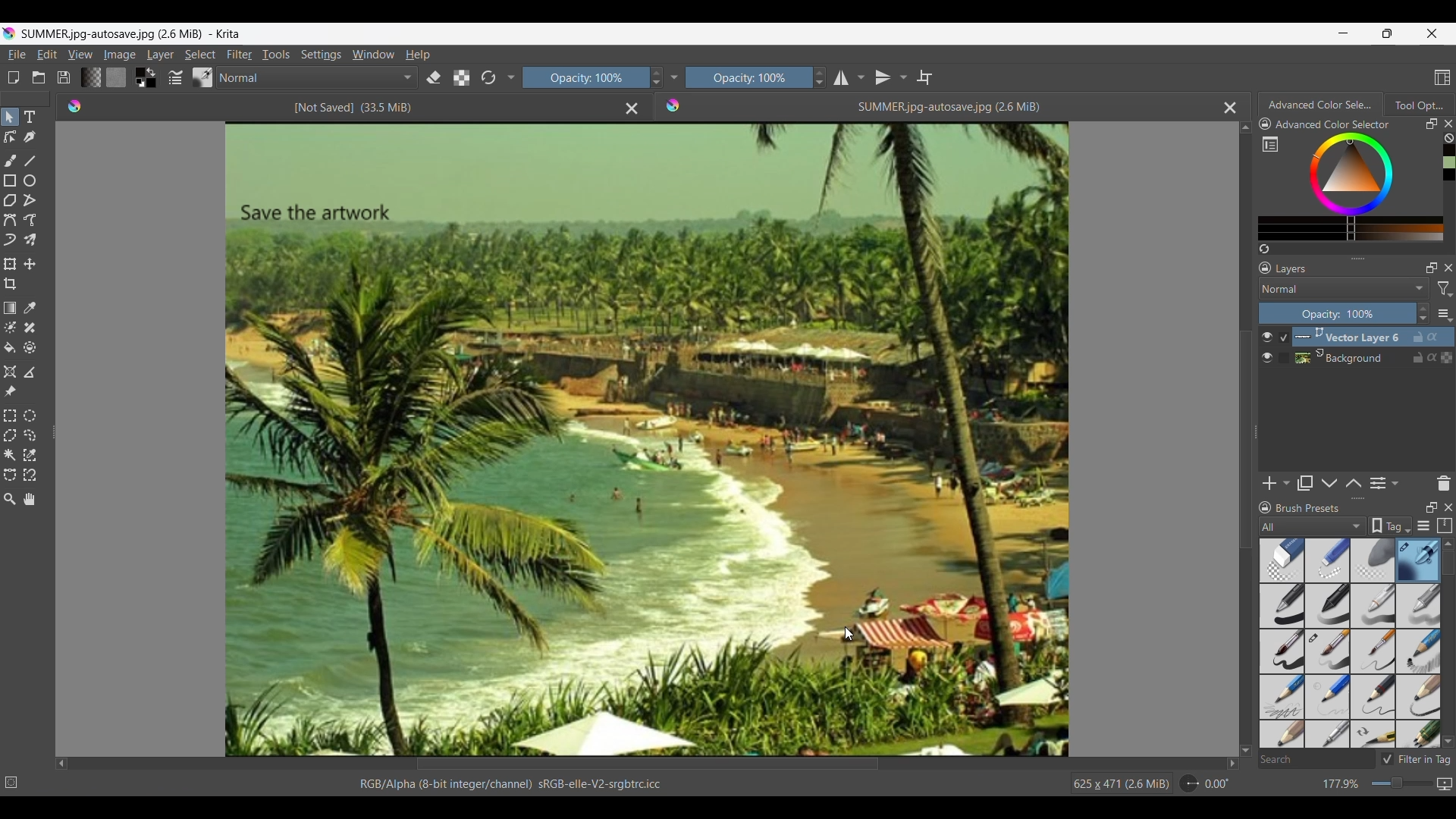  What do you see at coordinates (1448, 124) in the screenshot?
I see `Close tab` at bounding box center [1448, 124].